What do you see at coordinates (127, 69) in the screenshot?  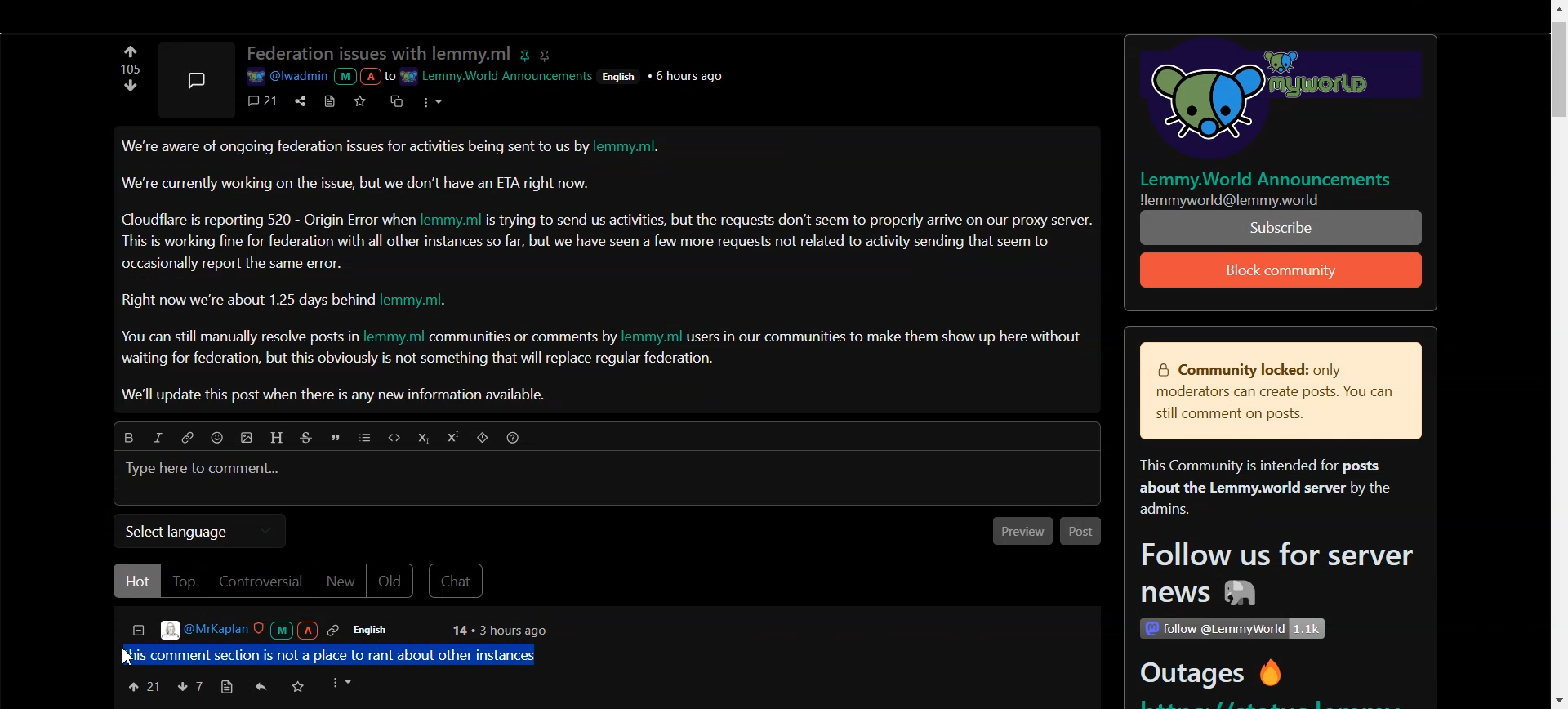 I see `Text` at bounding box center [127, 69].